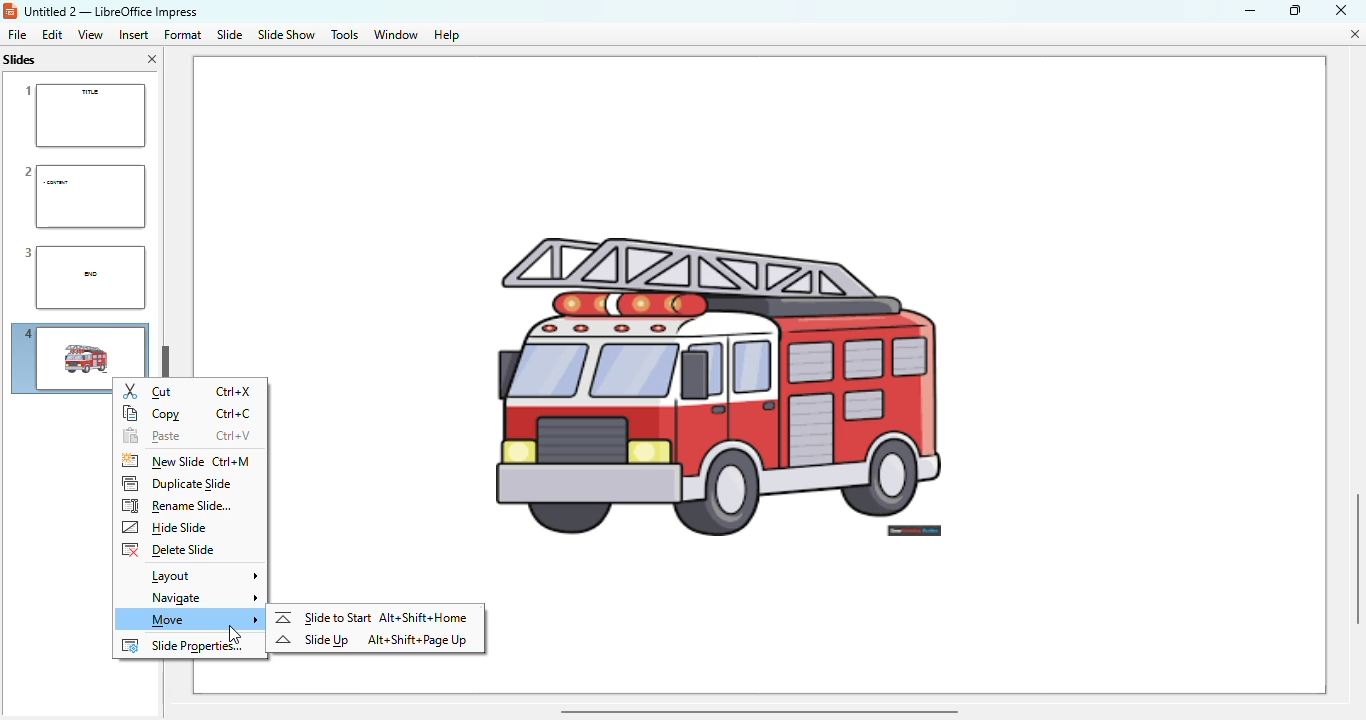 The image size is (1366, 720). I want to click on paste, so click(151, 437).